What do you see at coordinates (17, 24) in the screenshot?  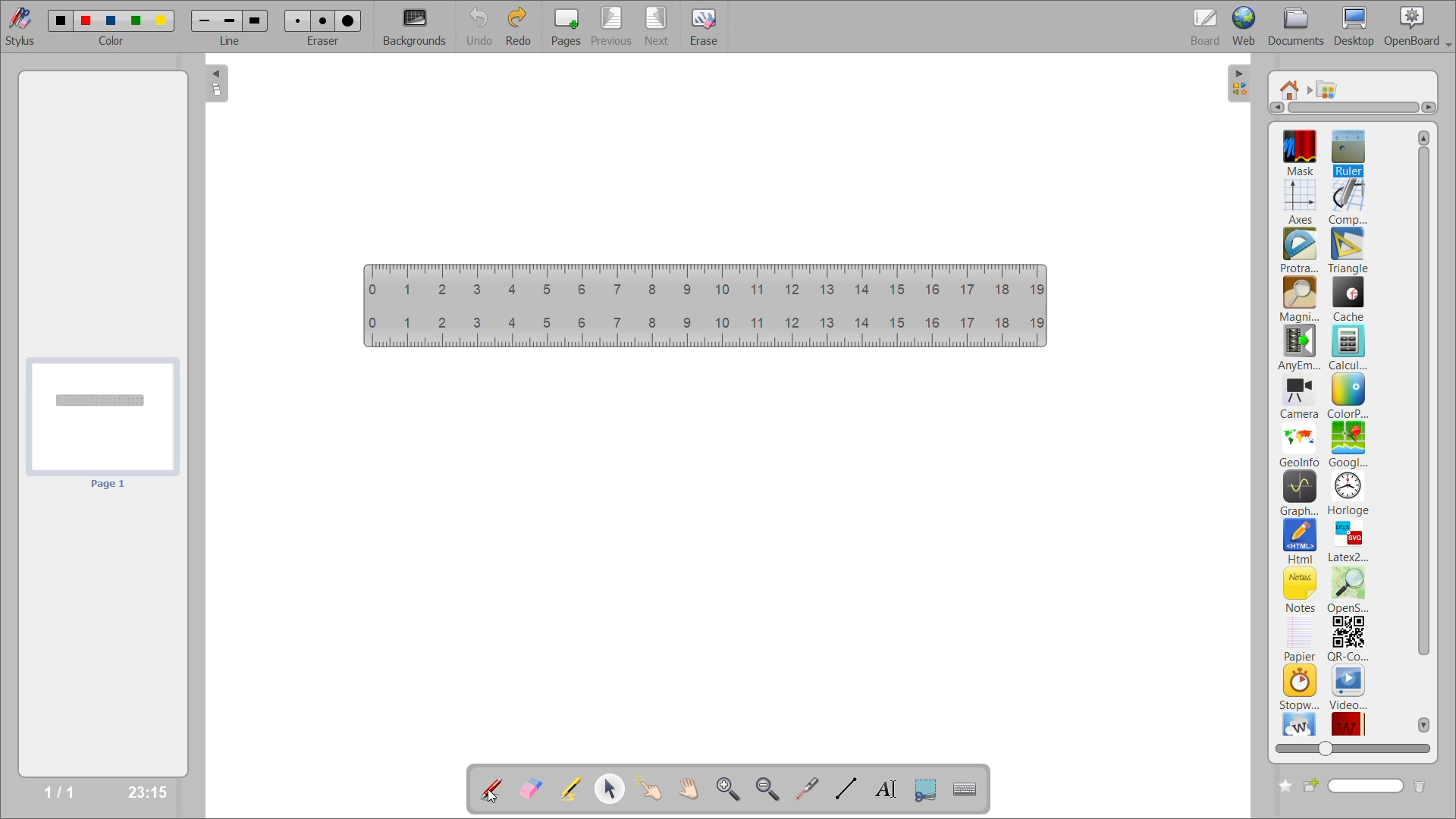 I see `stylus` at bounding box center [17, 24].